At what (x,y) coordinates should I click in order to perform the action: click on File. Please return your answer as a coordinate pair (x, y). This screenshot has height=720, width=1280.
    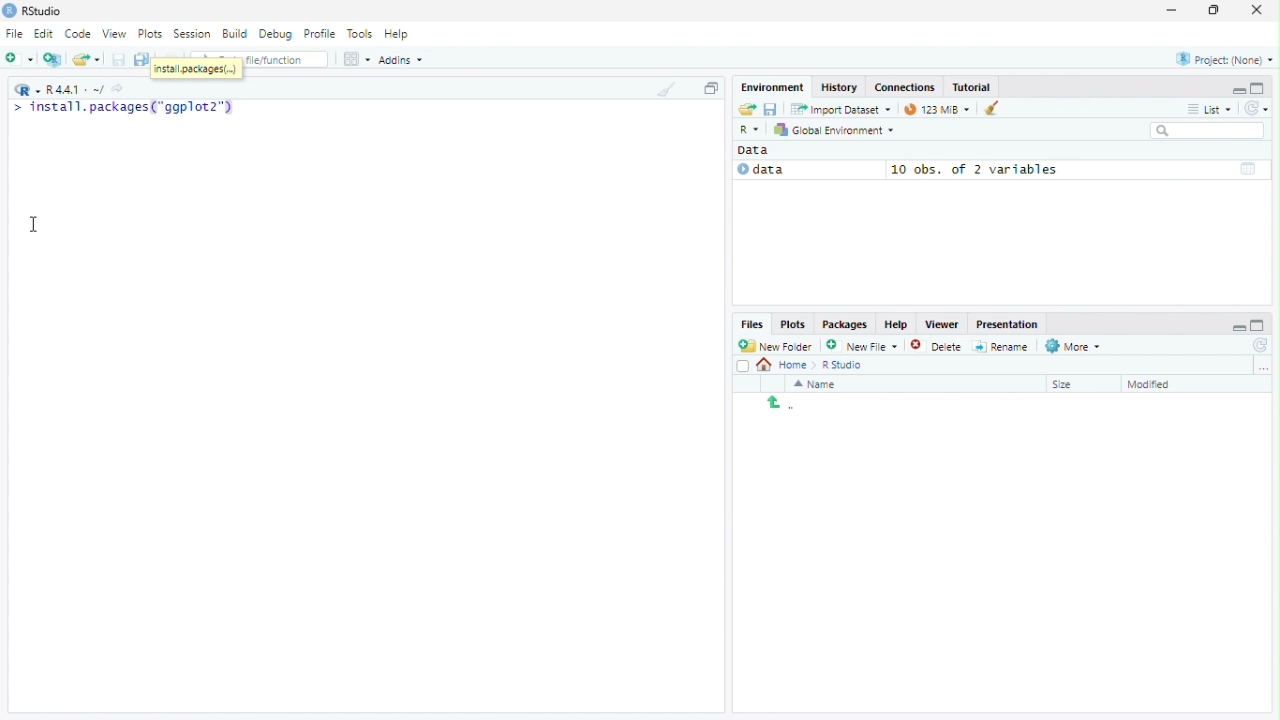
    Looking at the image, I should click on (14, 33).